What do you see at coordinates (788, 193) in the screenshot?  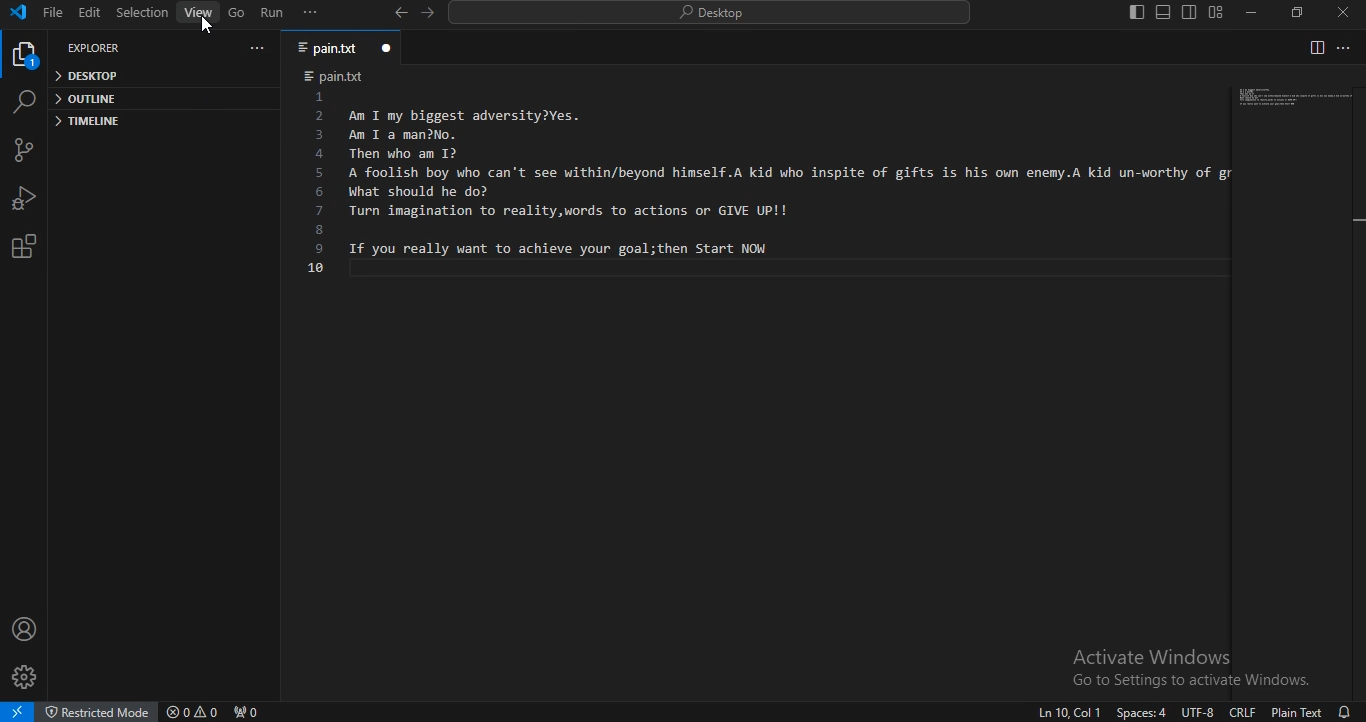 I see `Am I my biggest adversity?Yes.

An I a man2No.

Then who am 12

A foolish boy who can't see within/beyond himself.A kid who inspite of gifts is his own enemy.A kid un-worthy of g
What should he do?

Turn imagination to reality,words to actions or GIVE UP!!

If you really want to achieve your goal;then Start NOW` at bounding box center [788, 193].